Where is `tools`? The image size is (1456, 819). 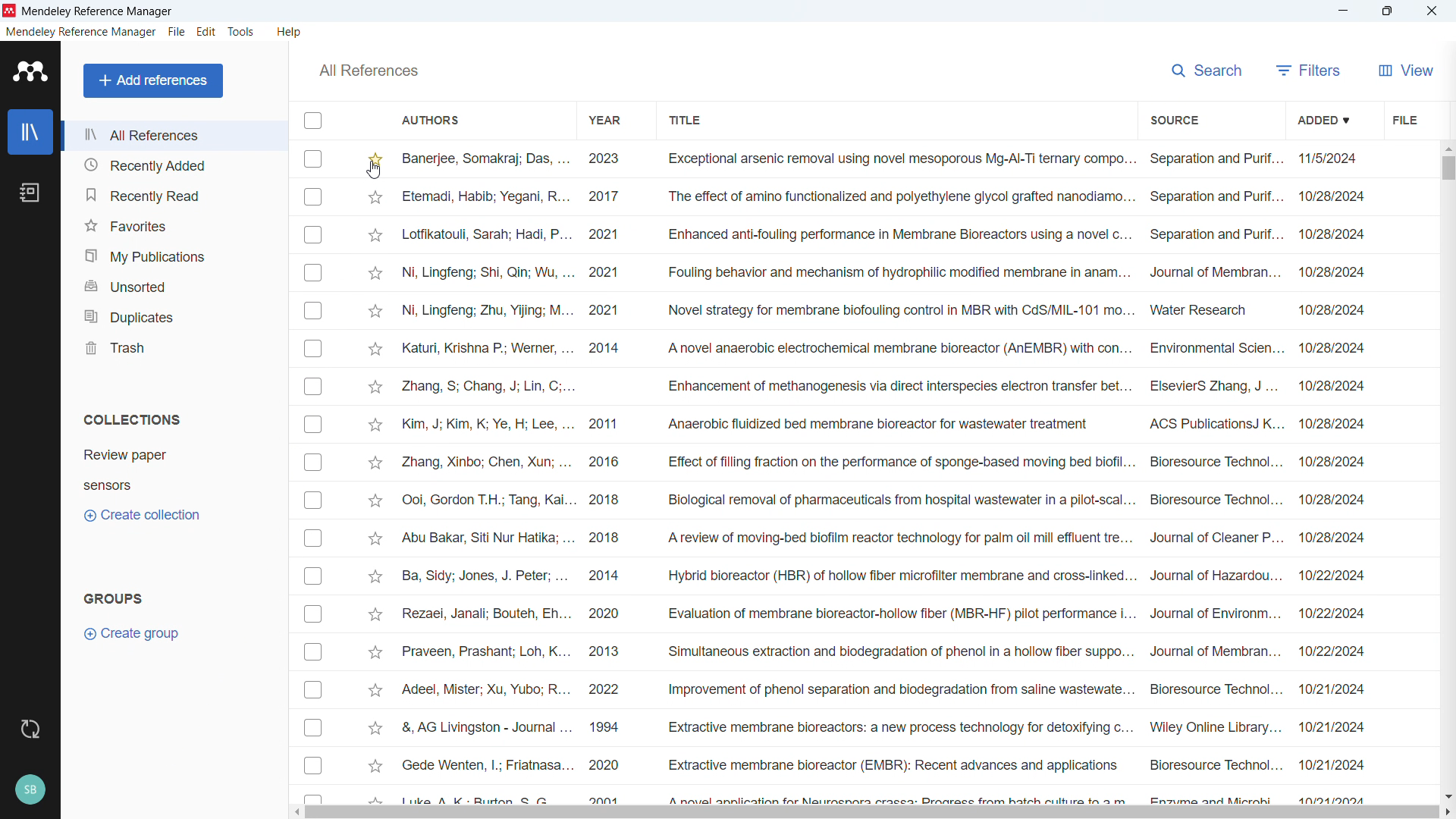
tools is located at coordinates (242, 32).